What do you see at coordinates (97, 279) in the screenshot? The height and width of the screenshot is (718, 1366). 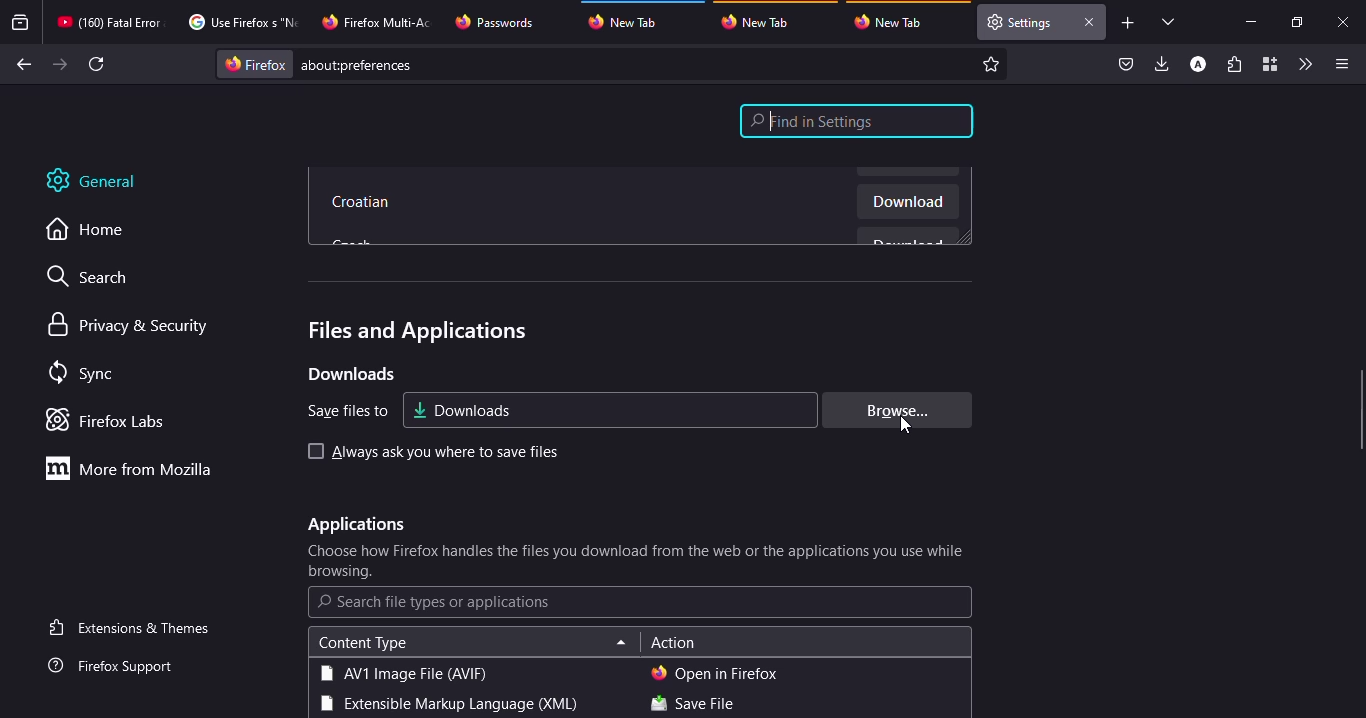 I see `search` at bounding box center [97, 279].